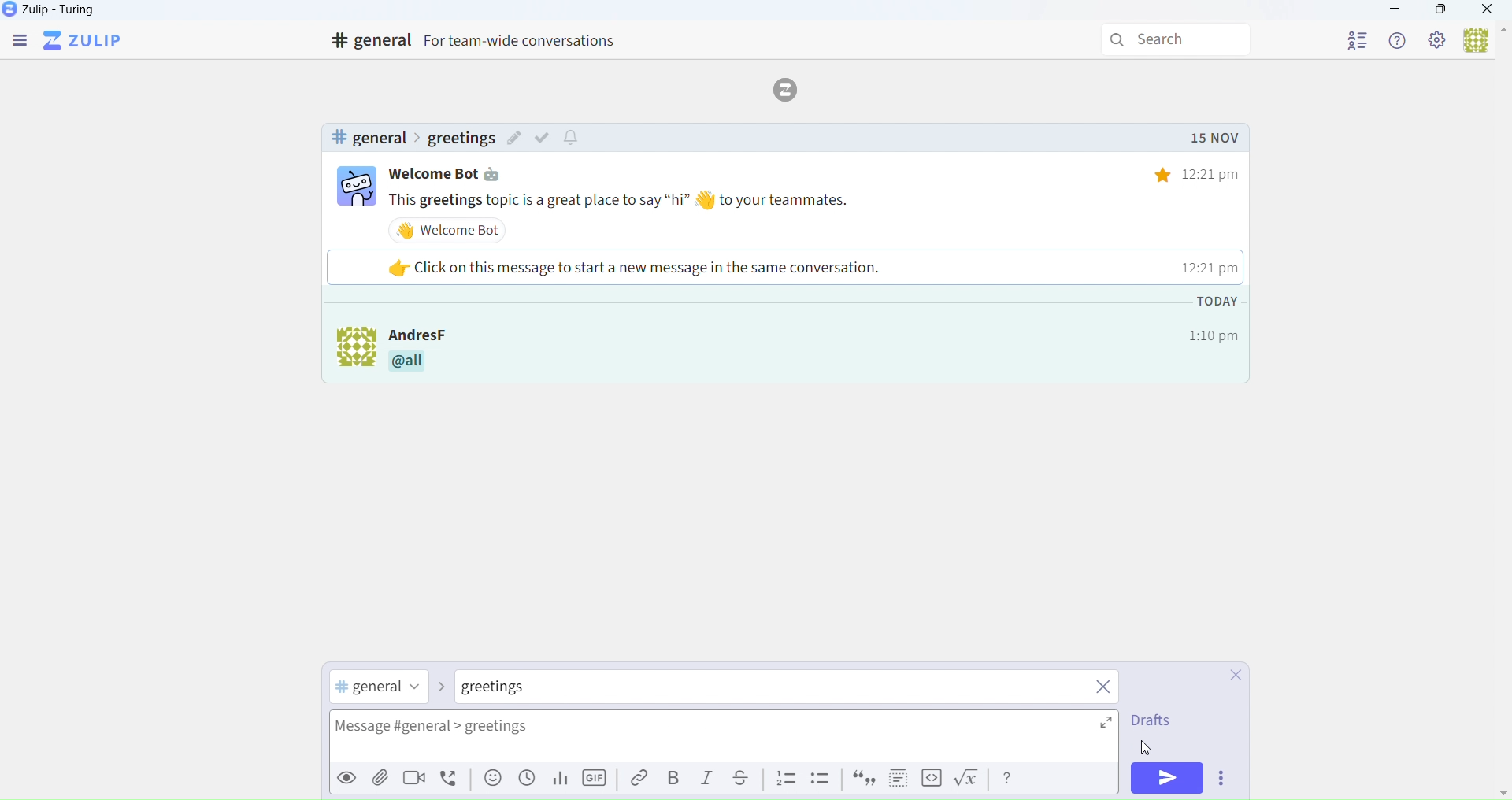 This screenshot has height=800, width=1512. I want to click on Spoiler, so click(894, 778).